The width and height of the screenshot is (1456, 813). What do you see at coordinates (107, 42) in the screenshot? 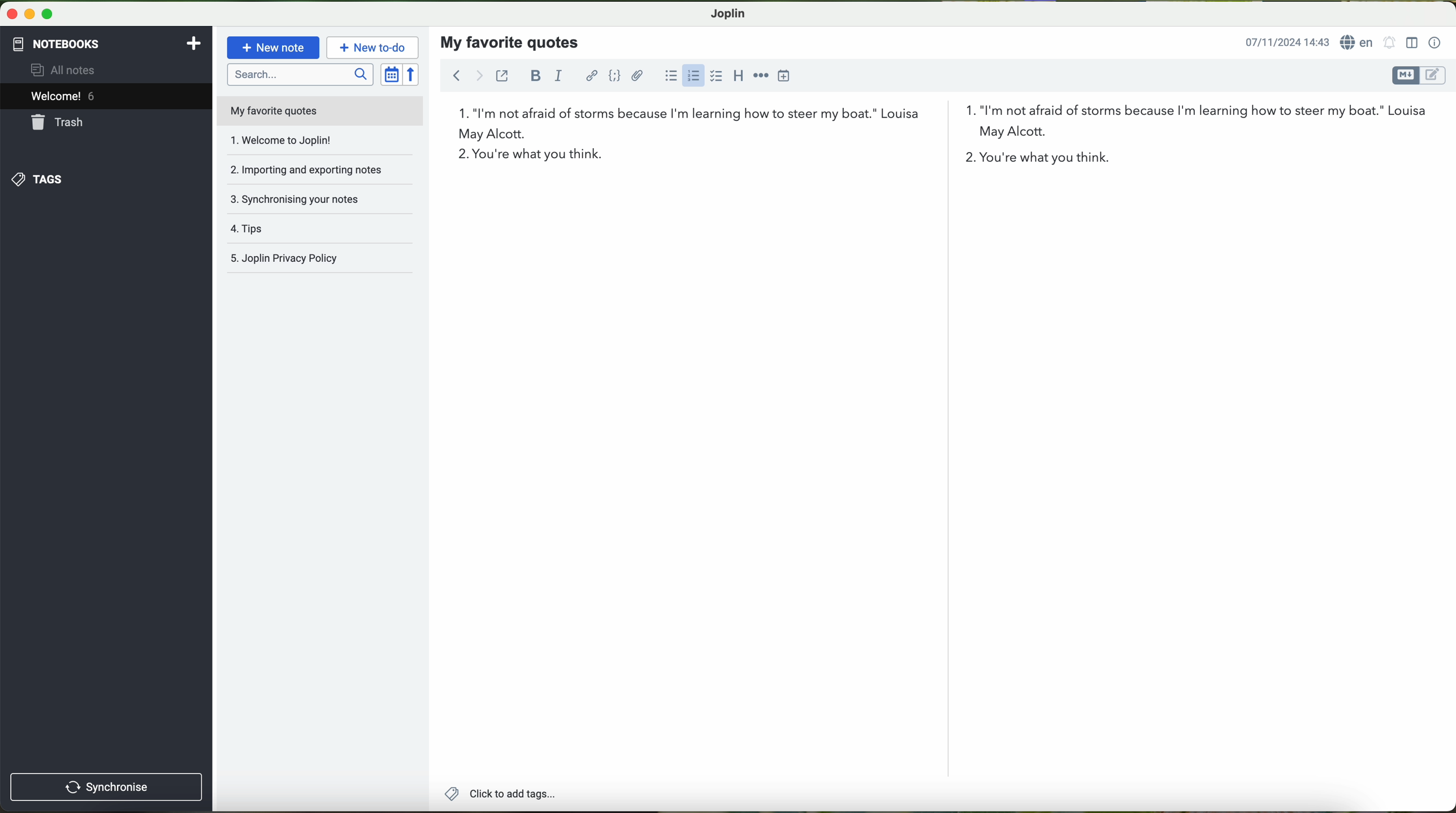
I see `notebooks` at bounding box center [107, 42].